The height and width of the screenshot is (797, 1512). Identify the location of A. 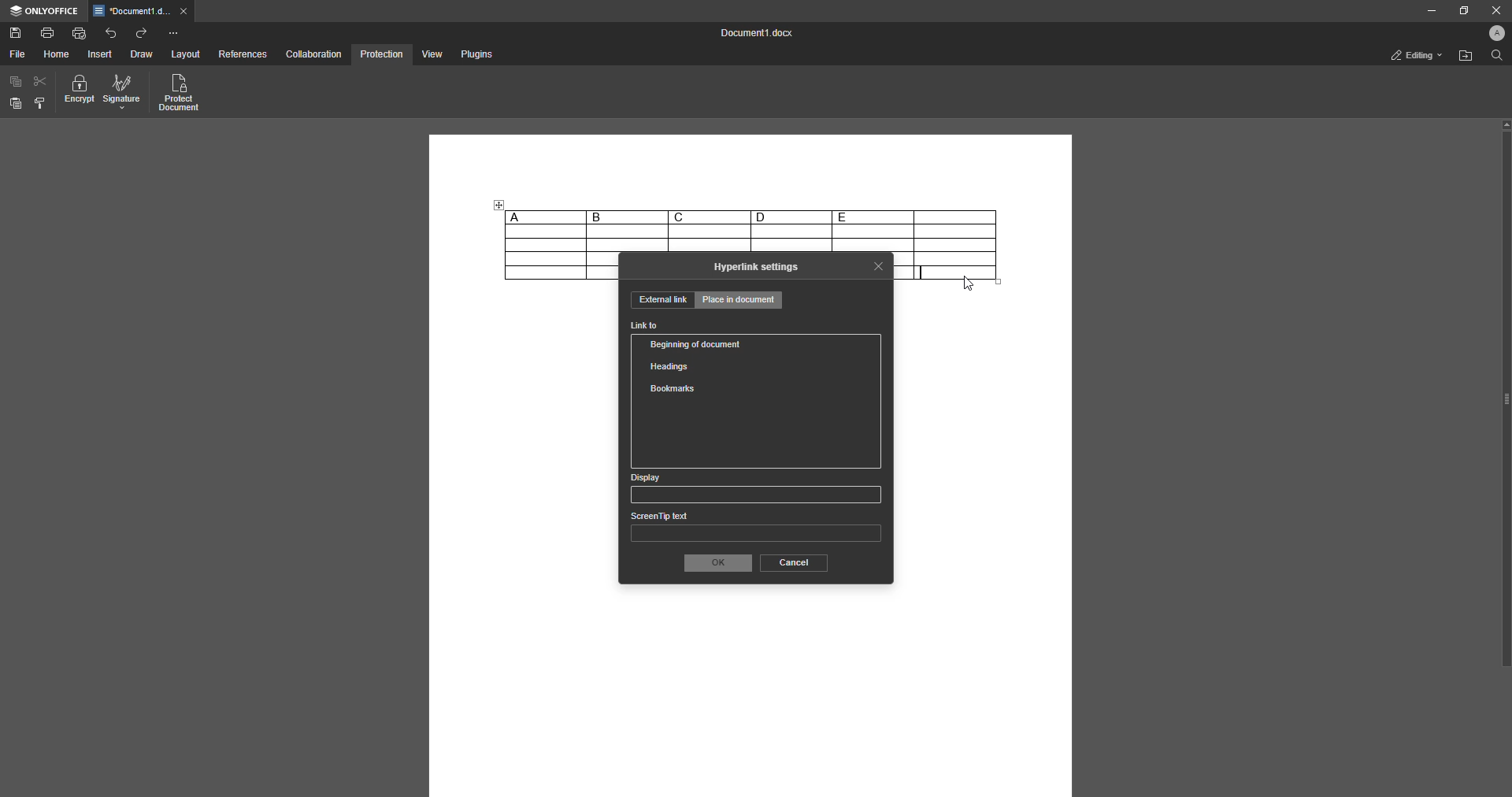
(544, 217).